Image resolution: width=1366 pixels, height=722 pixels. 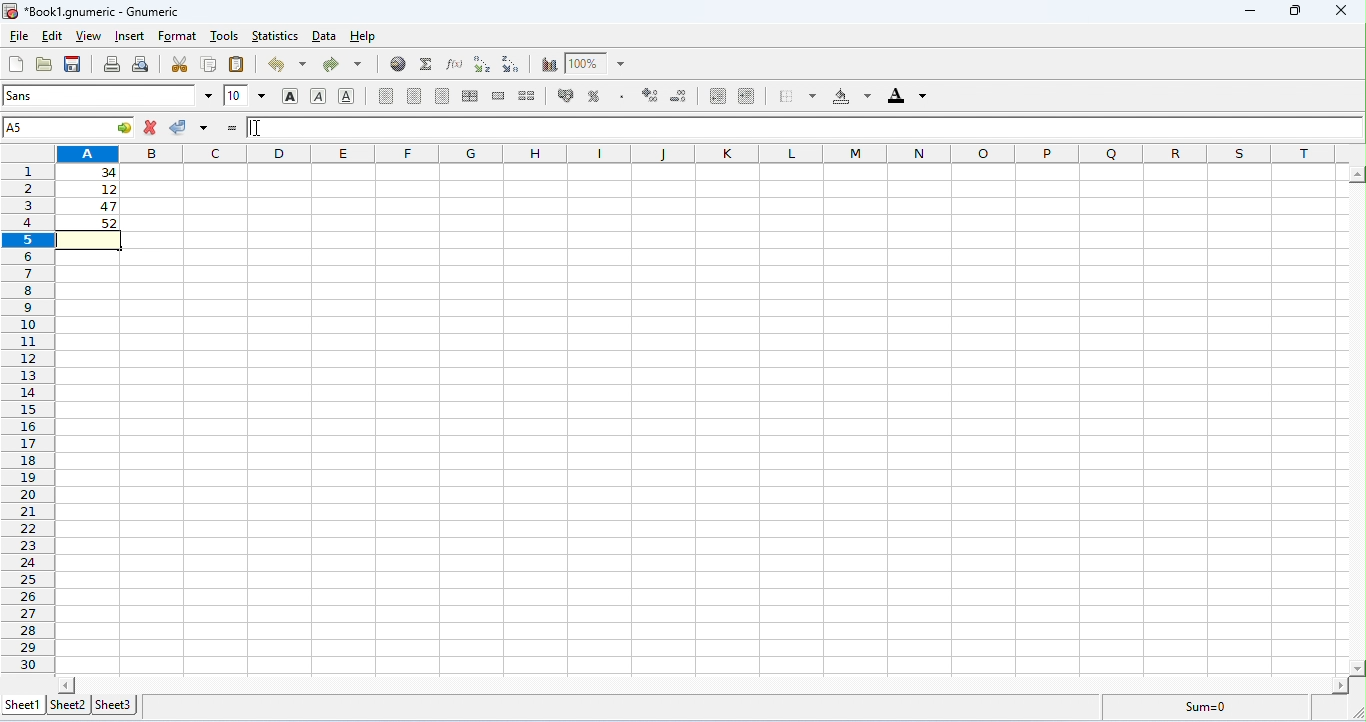 I want to click on split cells, so click(x=527, y=95).